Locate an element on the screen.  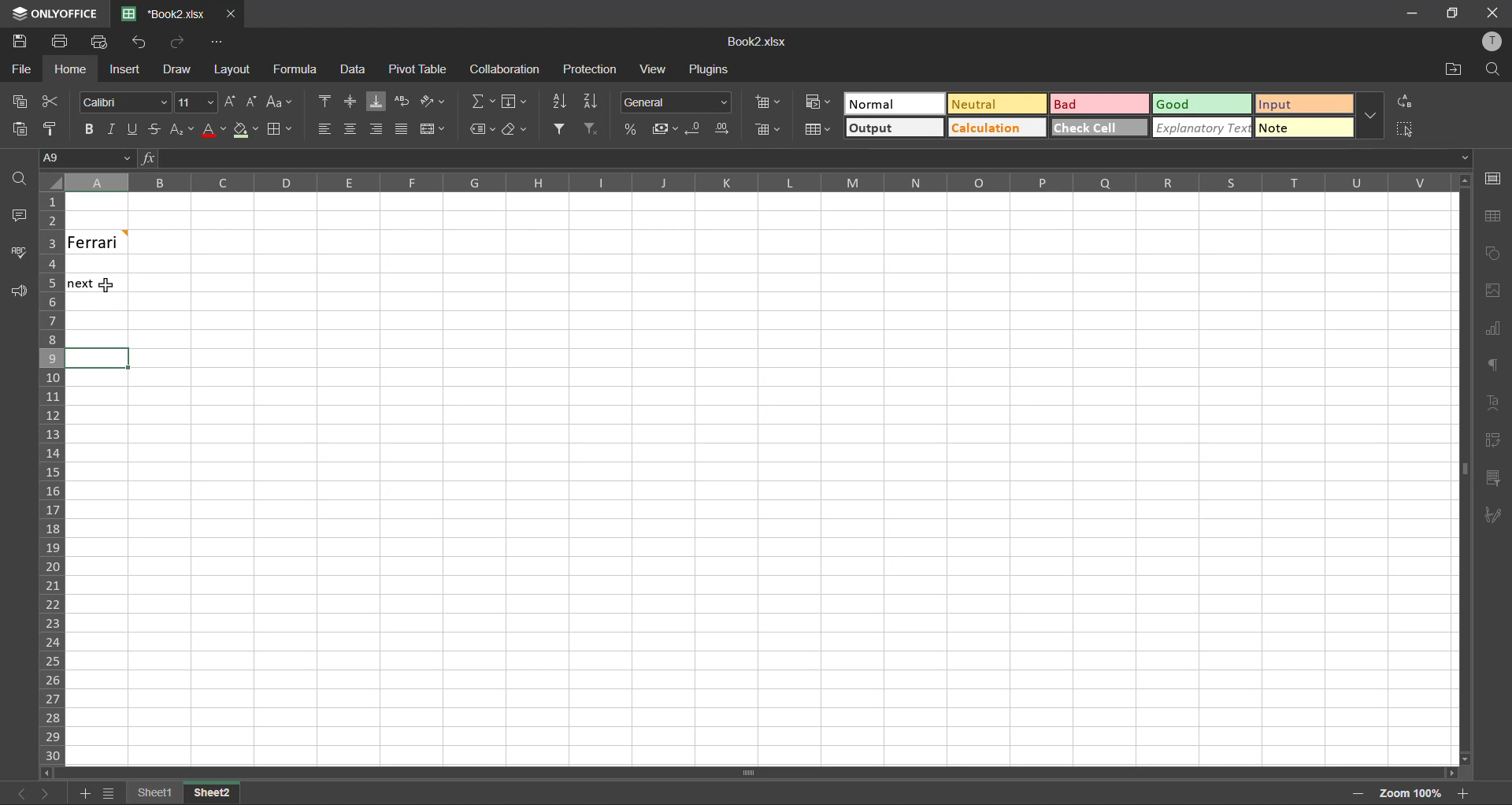
pivot table is located at coordinates (418, 70).